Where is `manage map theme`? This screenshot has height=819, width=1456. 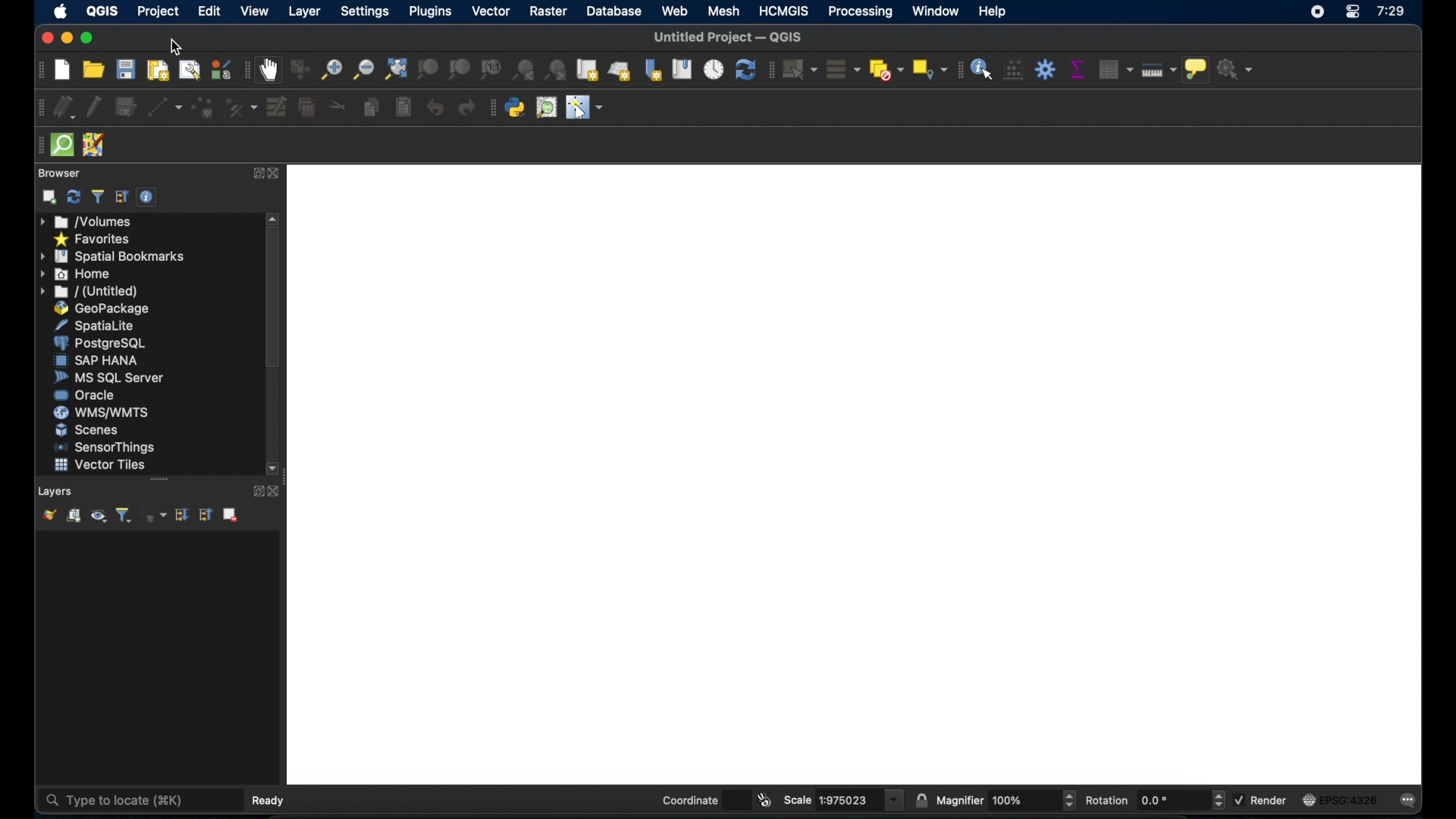 manage map theme is located at coordinates (98, 516).